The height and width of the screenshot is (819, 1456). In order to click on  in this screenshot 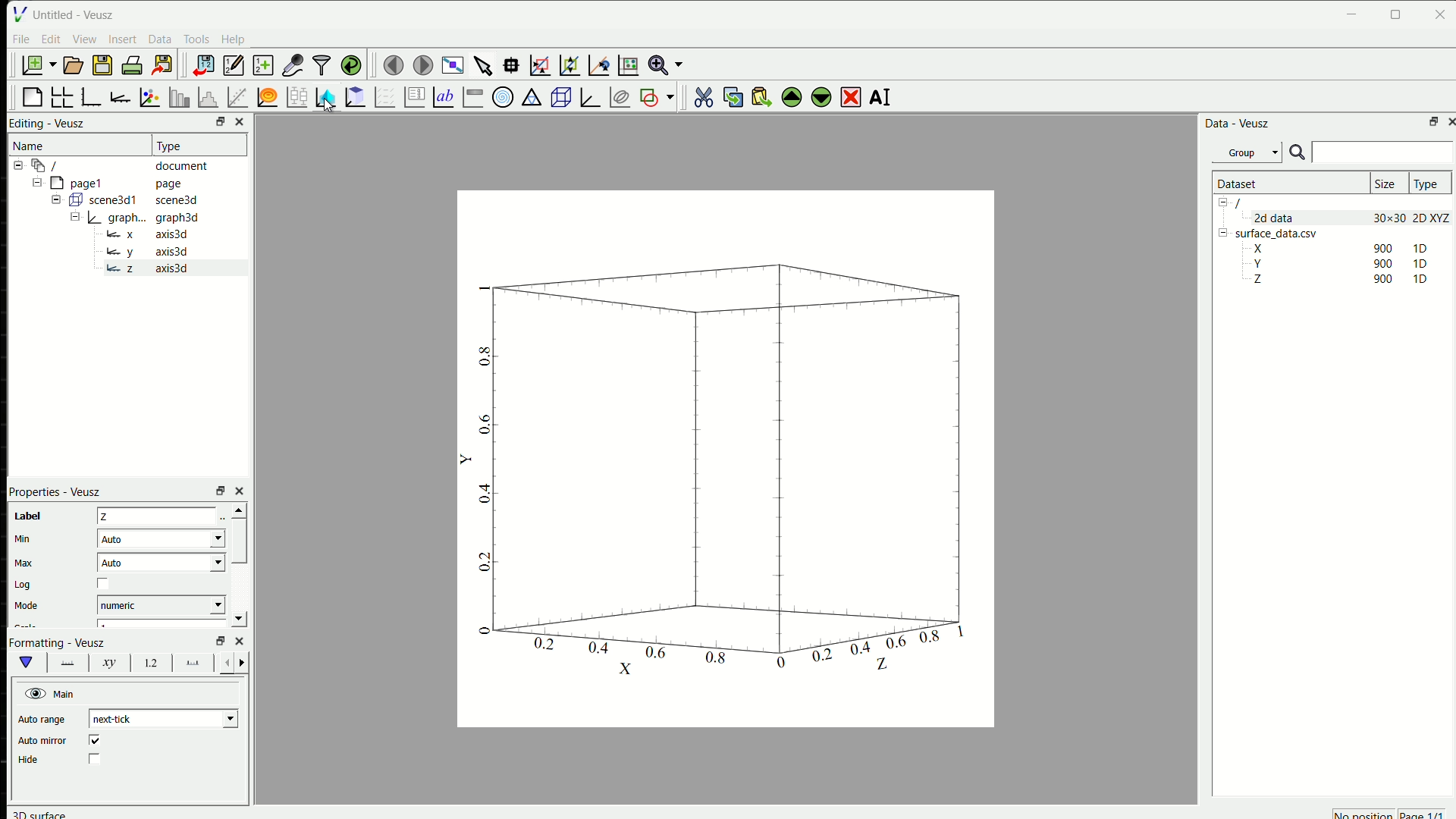, I will do `click(107, 199)`.